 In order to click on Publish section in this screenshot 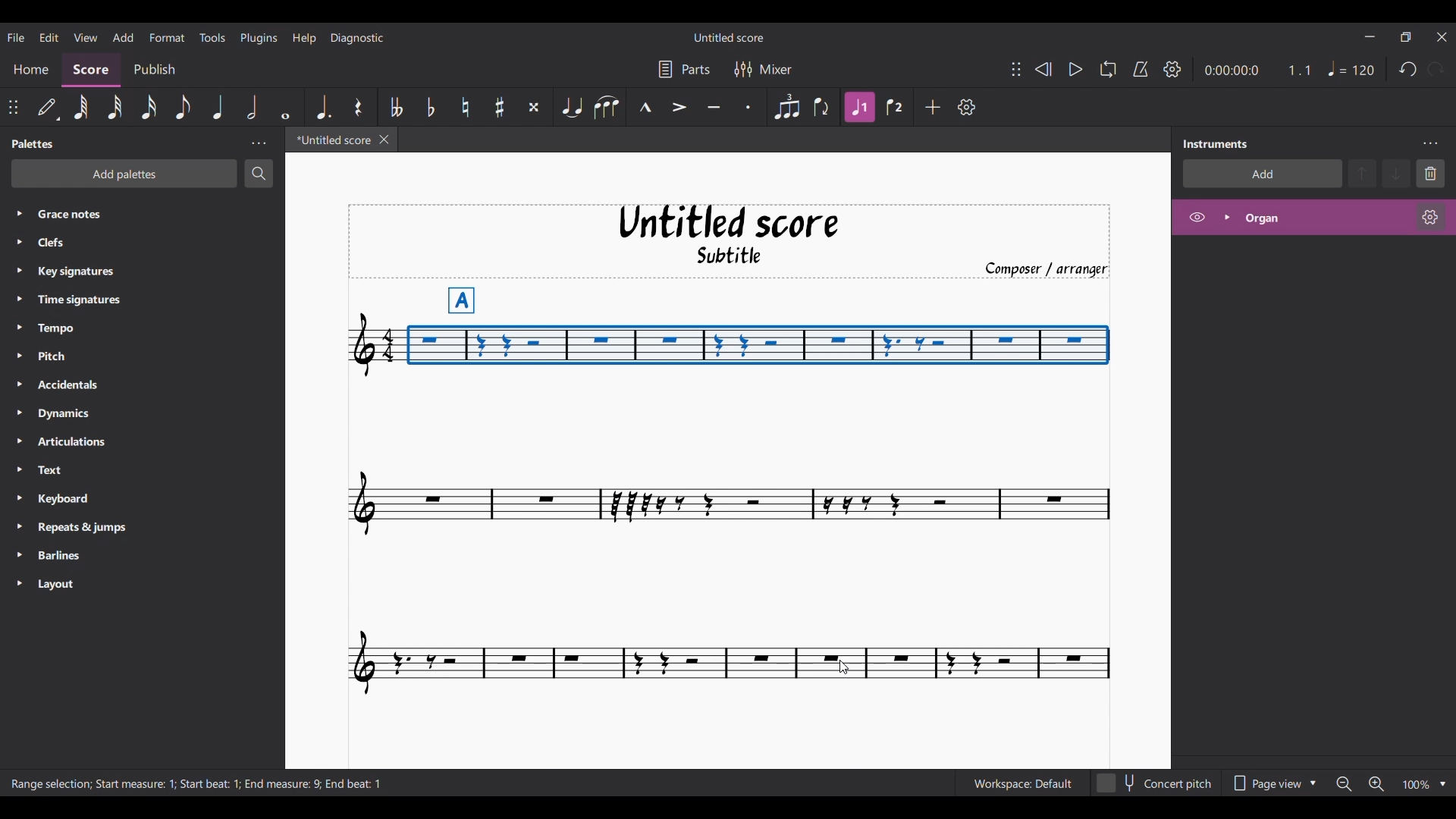, I will do `click(156, 67)`.